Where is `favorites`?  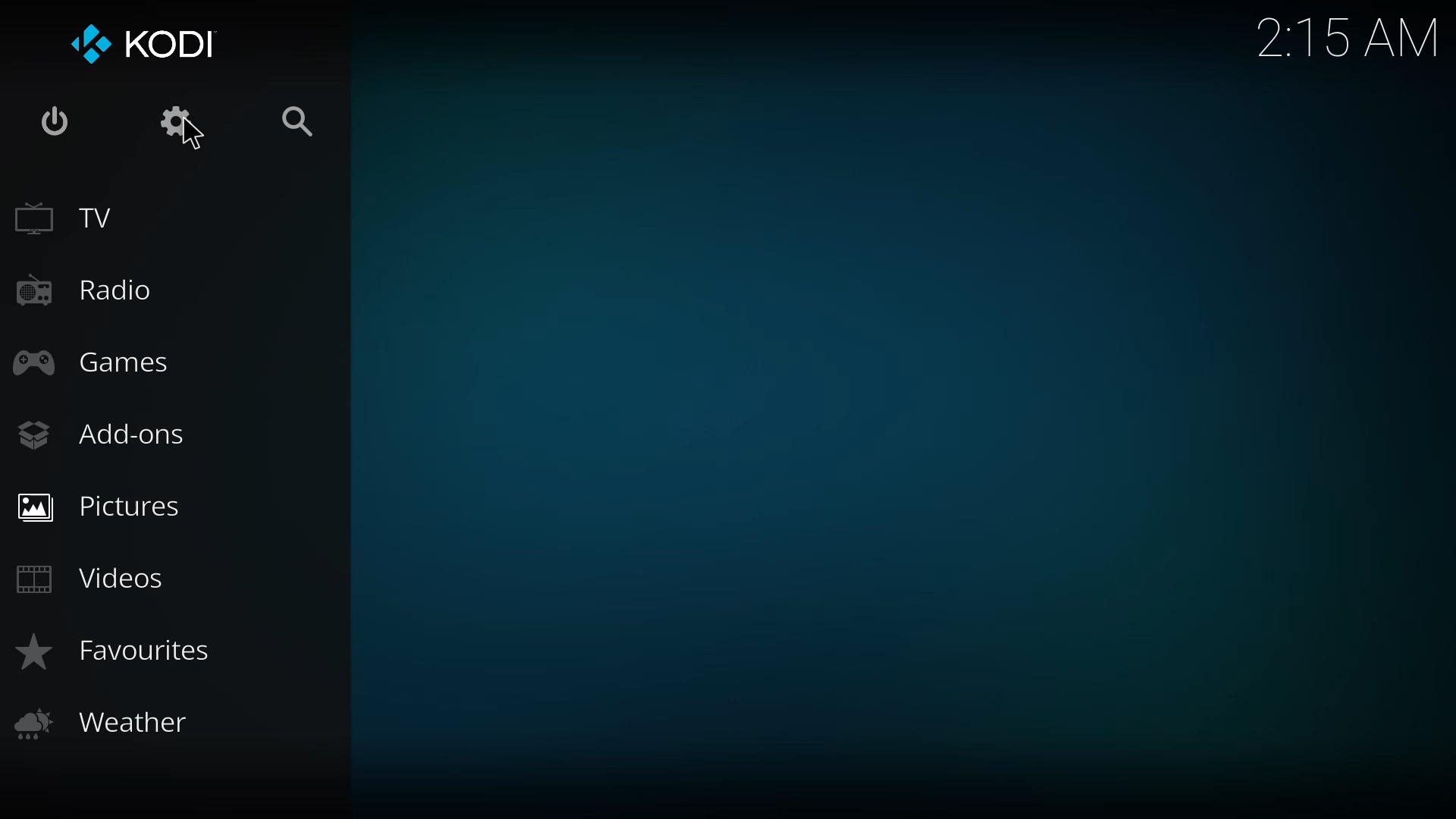
favorites is located at coordinates (120, 649).